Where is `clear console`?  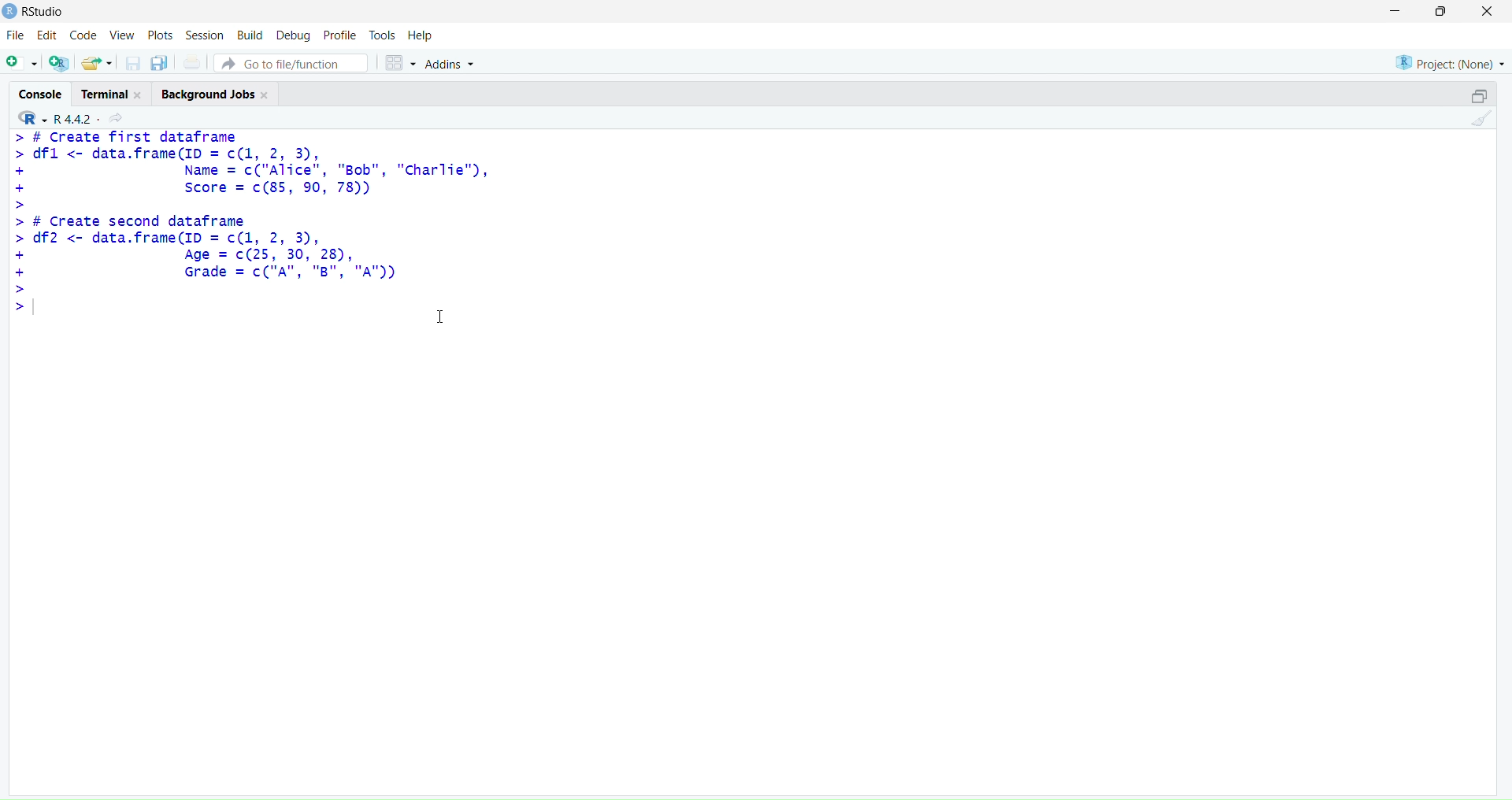
clear console is located at coordinates (1482, 119).